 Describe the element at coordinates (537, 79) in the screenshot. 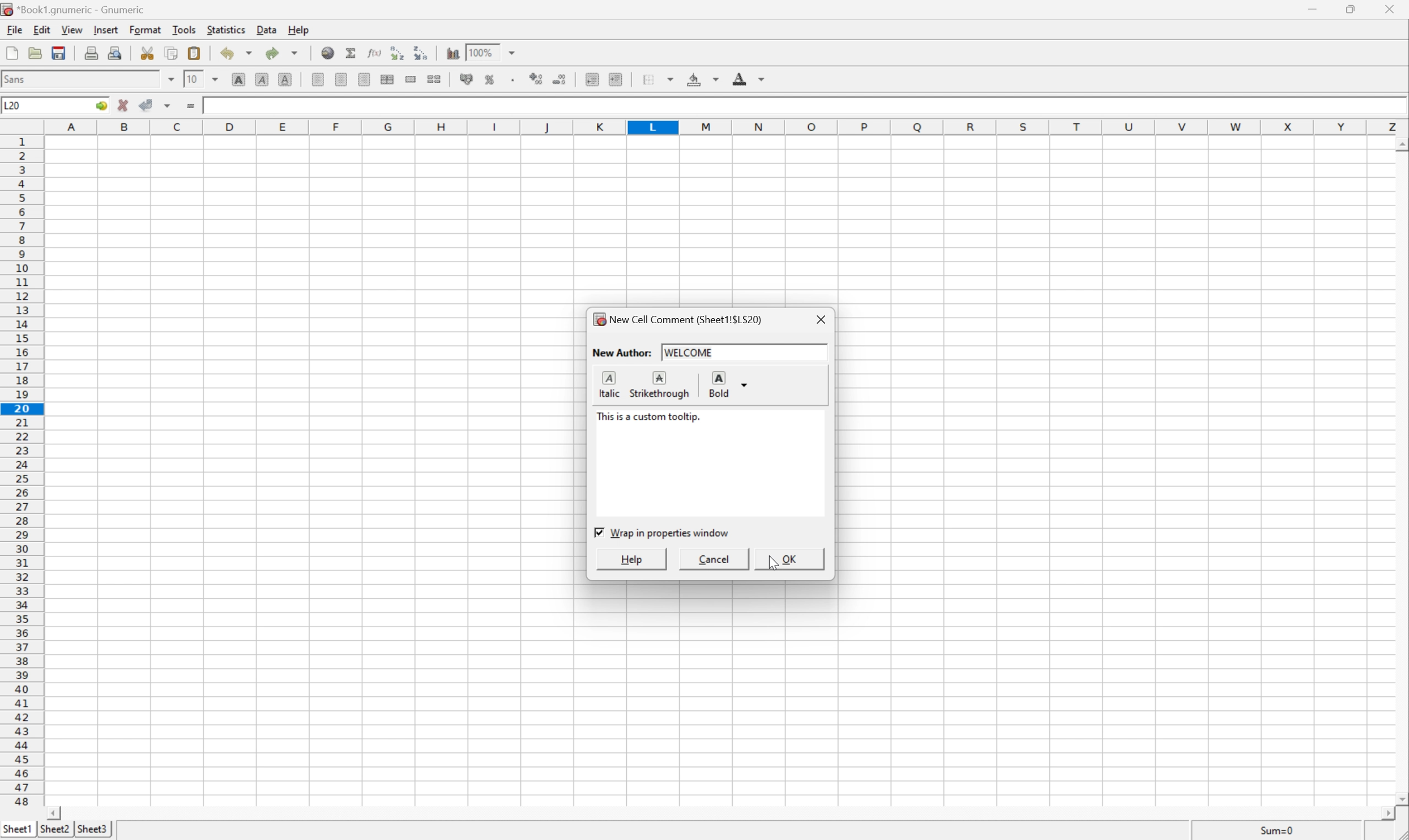

I see `Increase number of decimals displayed` at that location.